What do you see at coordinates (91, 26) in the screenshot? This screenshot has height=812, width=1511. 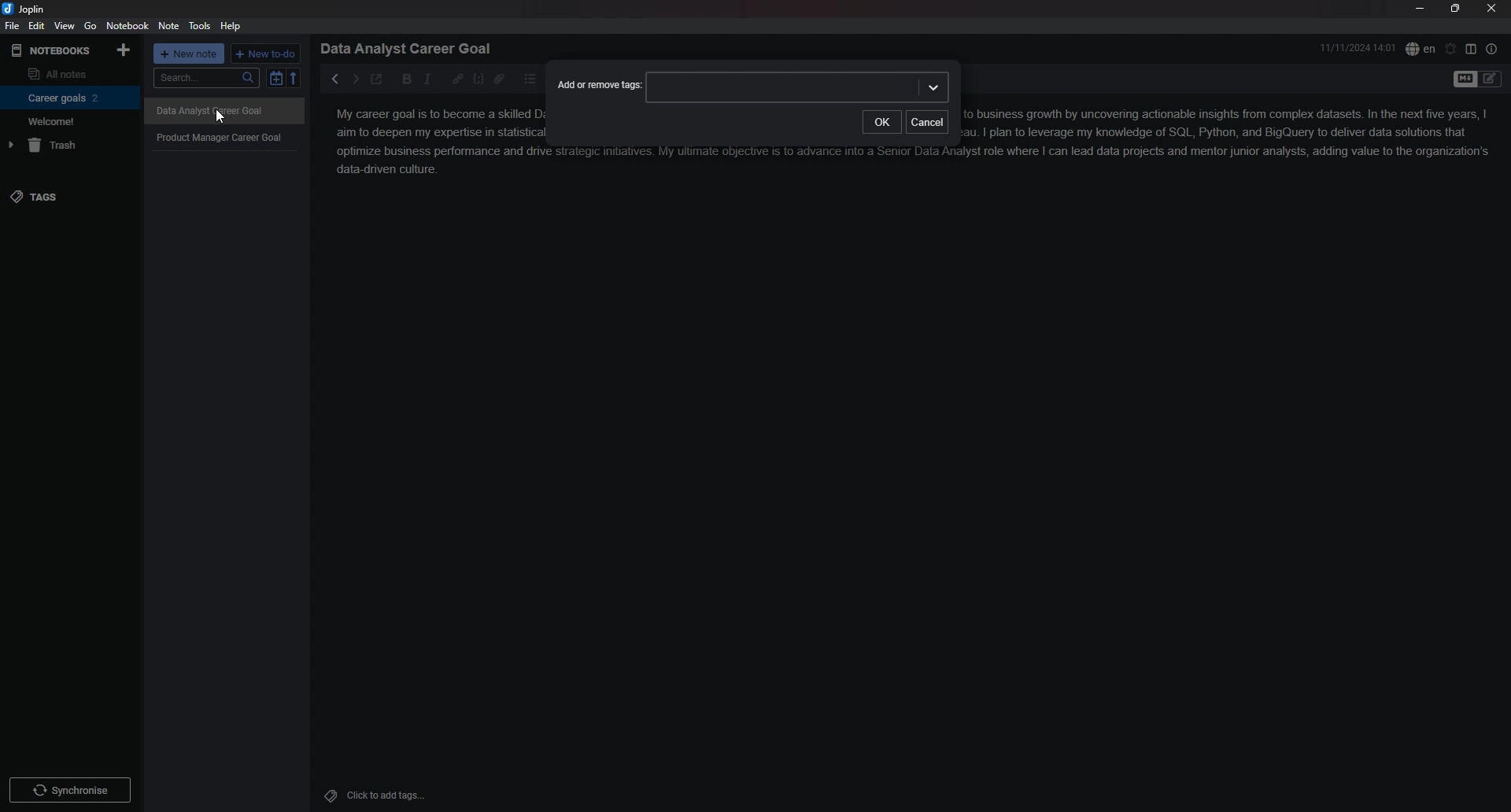 I see `go` at bounding box center [91, 26].